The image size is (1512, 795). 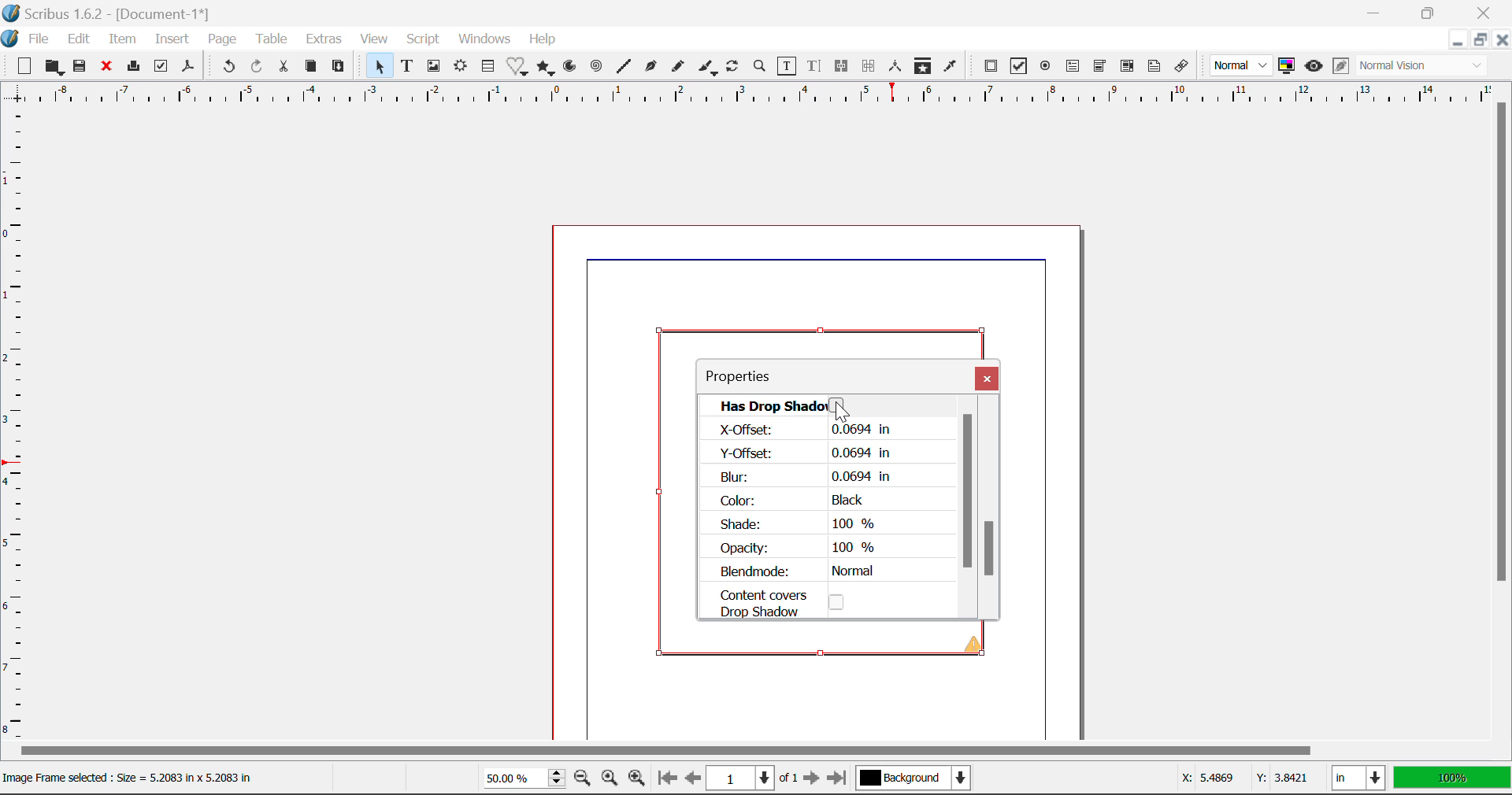 What do you see at coordinates (39, 39) in the screenshot?
I see `File` at bounding box center [39, 39].